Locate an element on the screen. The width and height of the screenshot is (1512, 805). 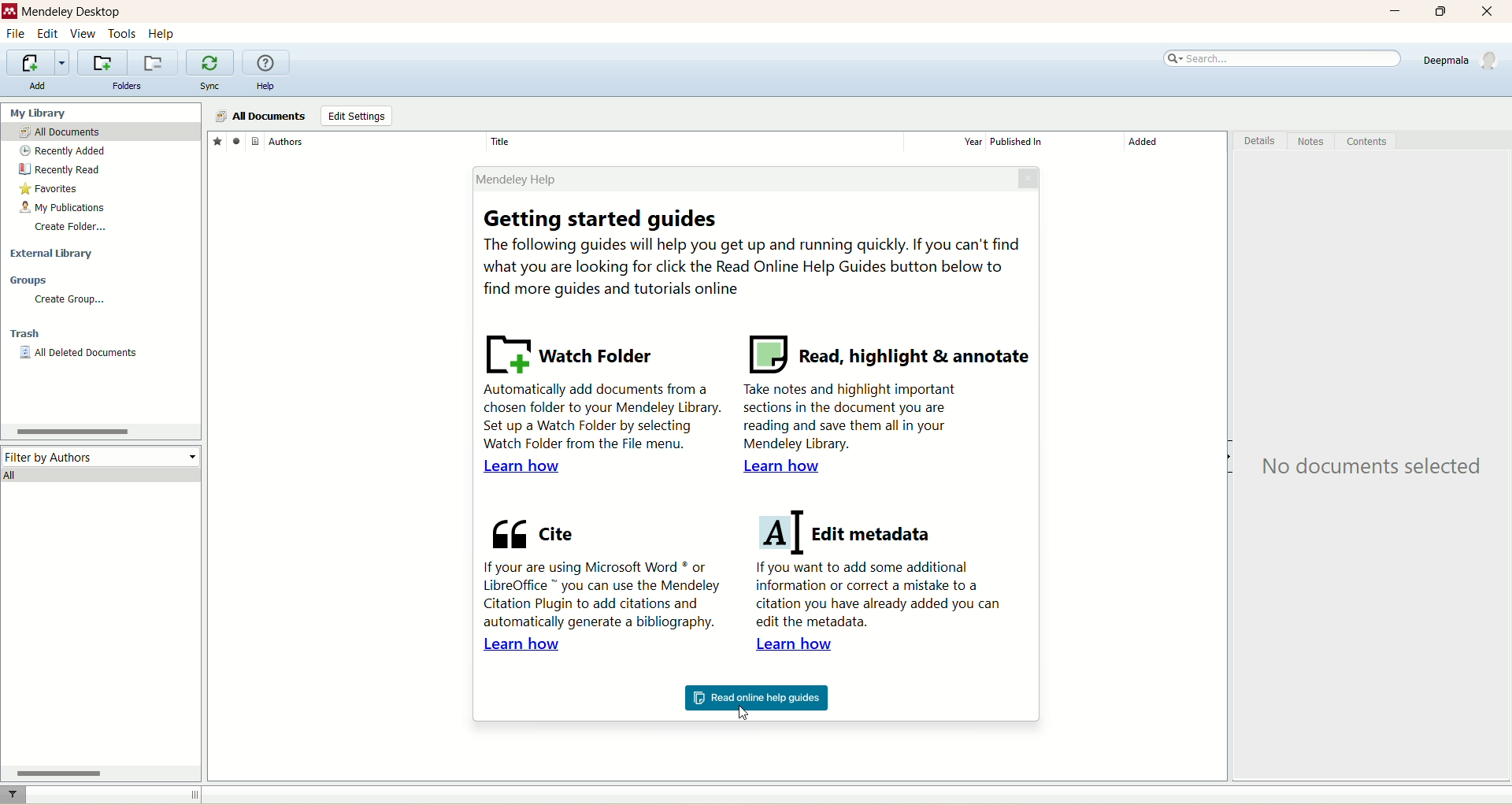
synchronize library with mendeley web is located at coordinates (210, 63).